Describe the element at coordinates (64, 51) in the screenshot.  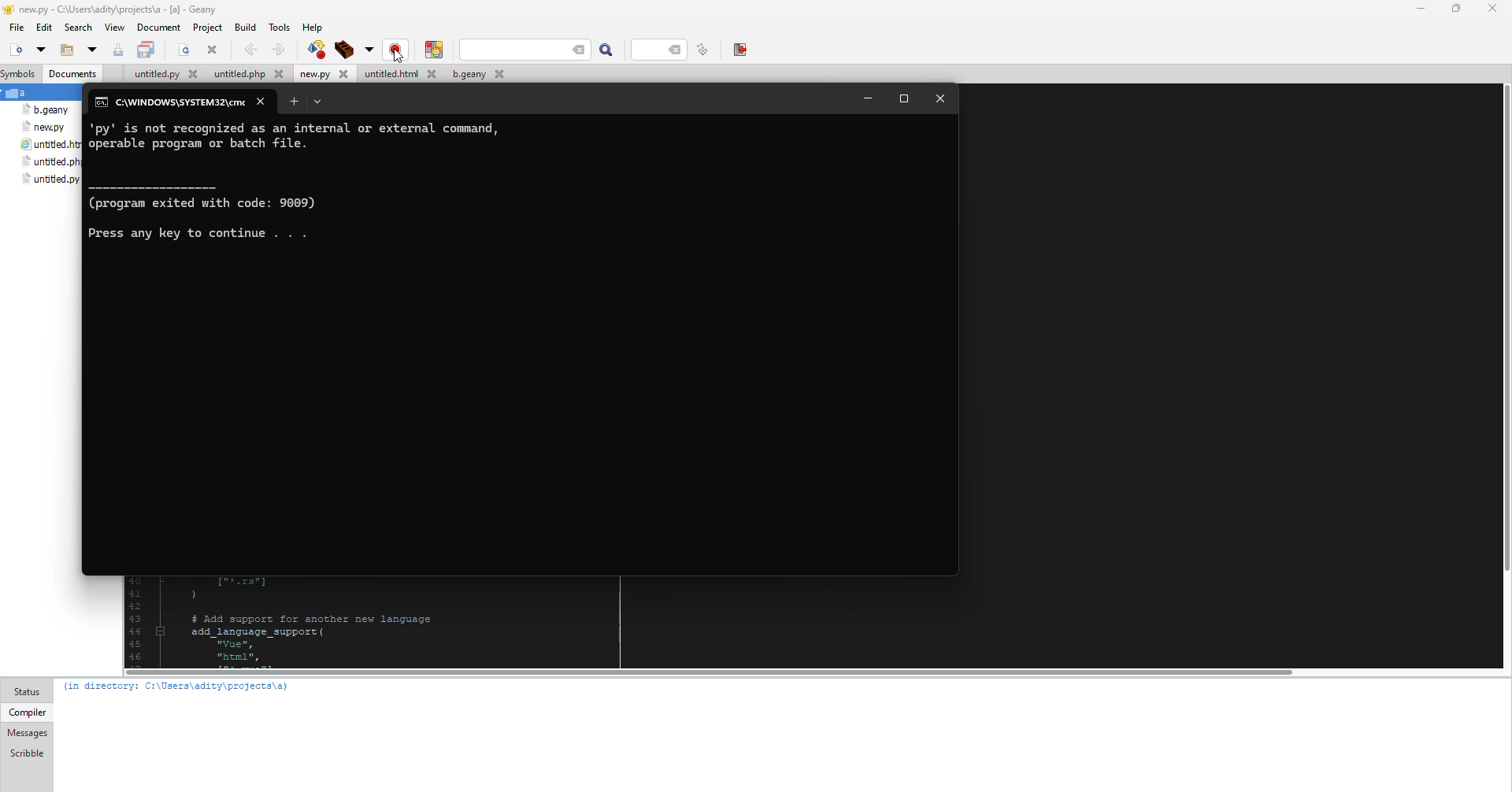
I see `open` at that location.